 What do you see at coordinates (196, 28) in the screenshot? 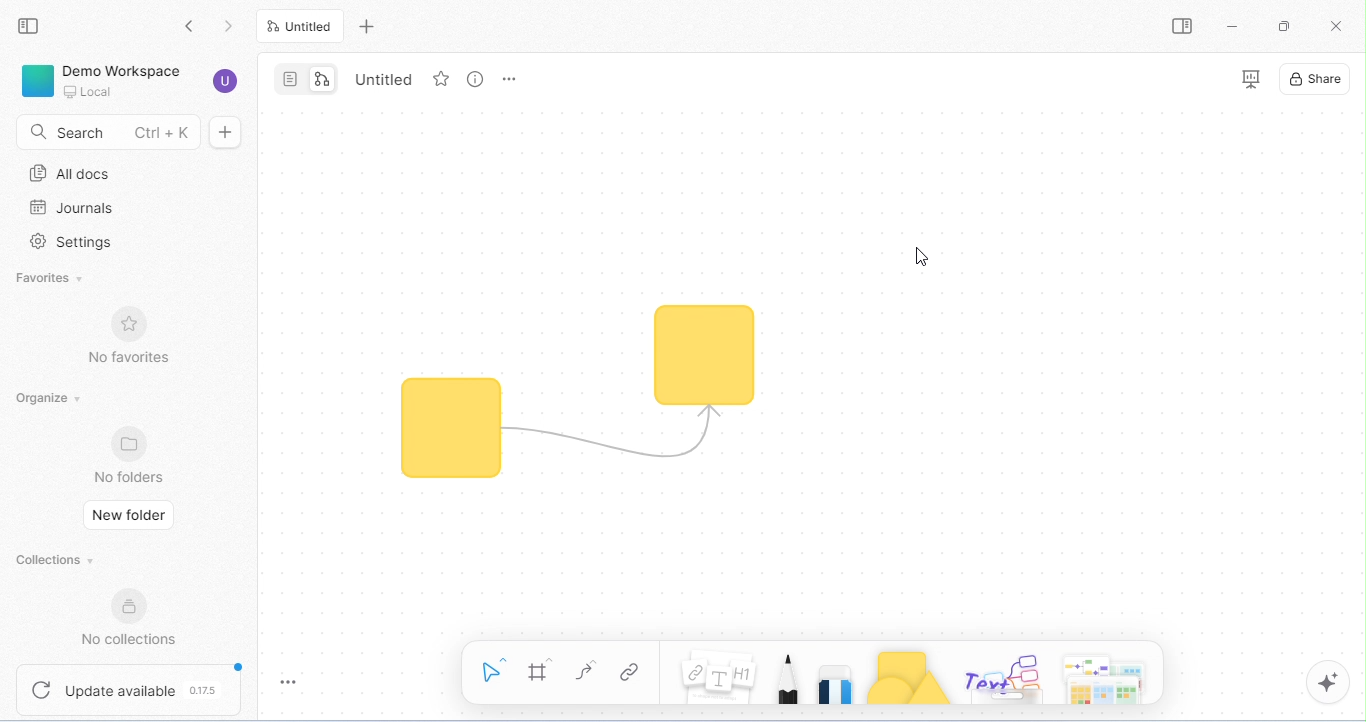
I see `go back` at bounding box center [196, 28].